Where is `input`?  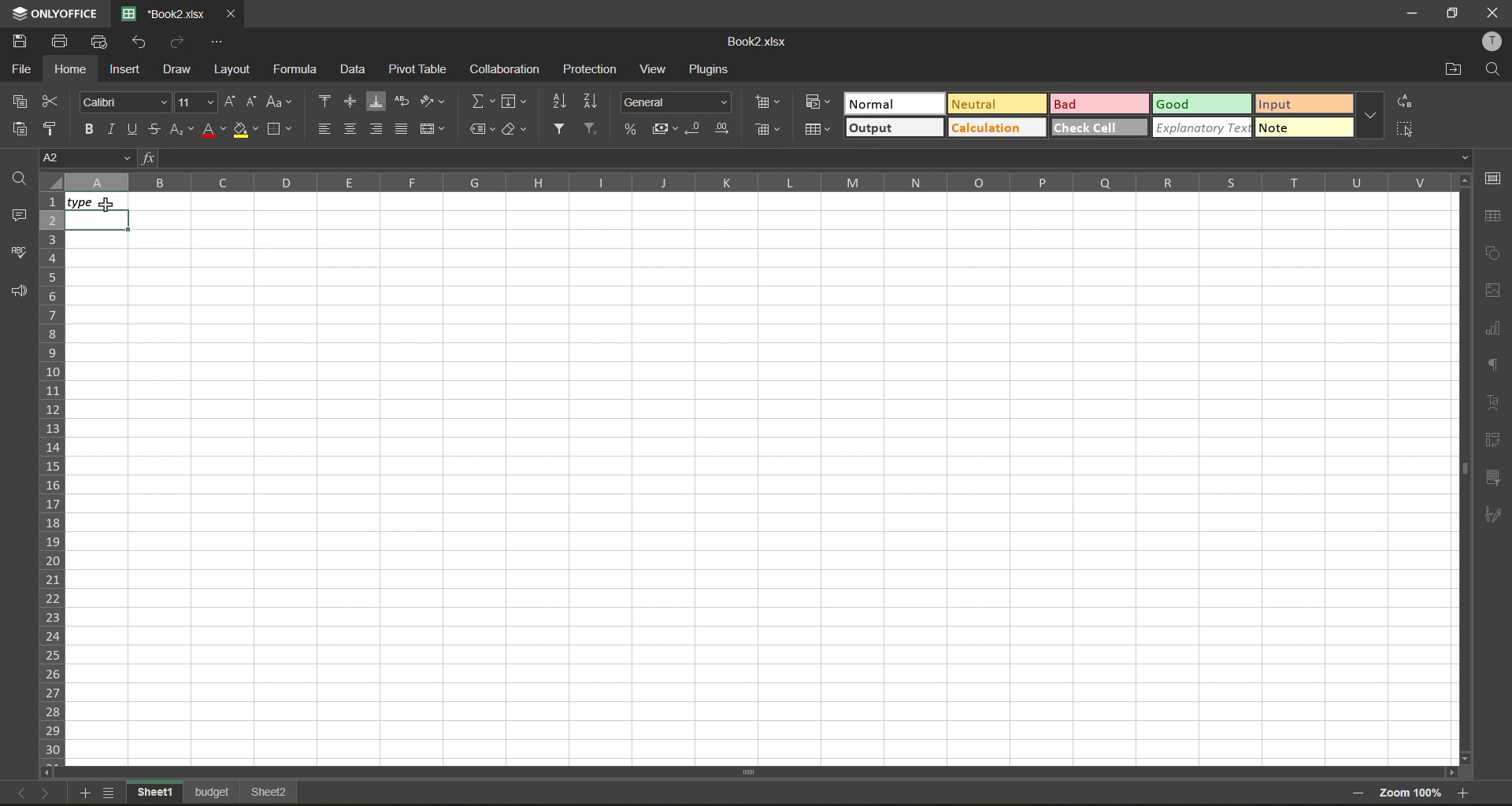
input is located at coordinates (1303, 106).